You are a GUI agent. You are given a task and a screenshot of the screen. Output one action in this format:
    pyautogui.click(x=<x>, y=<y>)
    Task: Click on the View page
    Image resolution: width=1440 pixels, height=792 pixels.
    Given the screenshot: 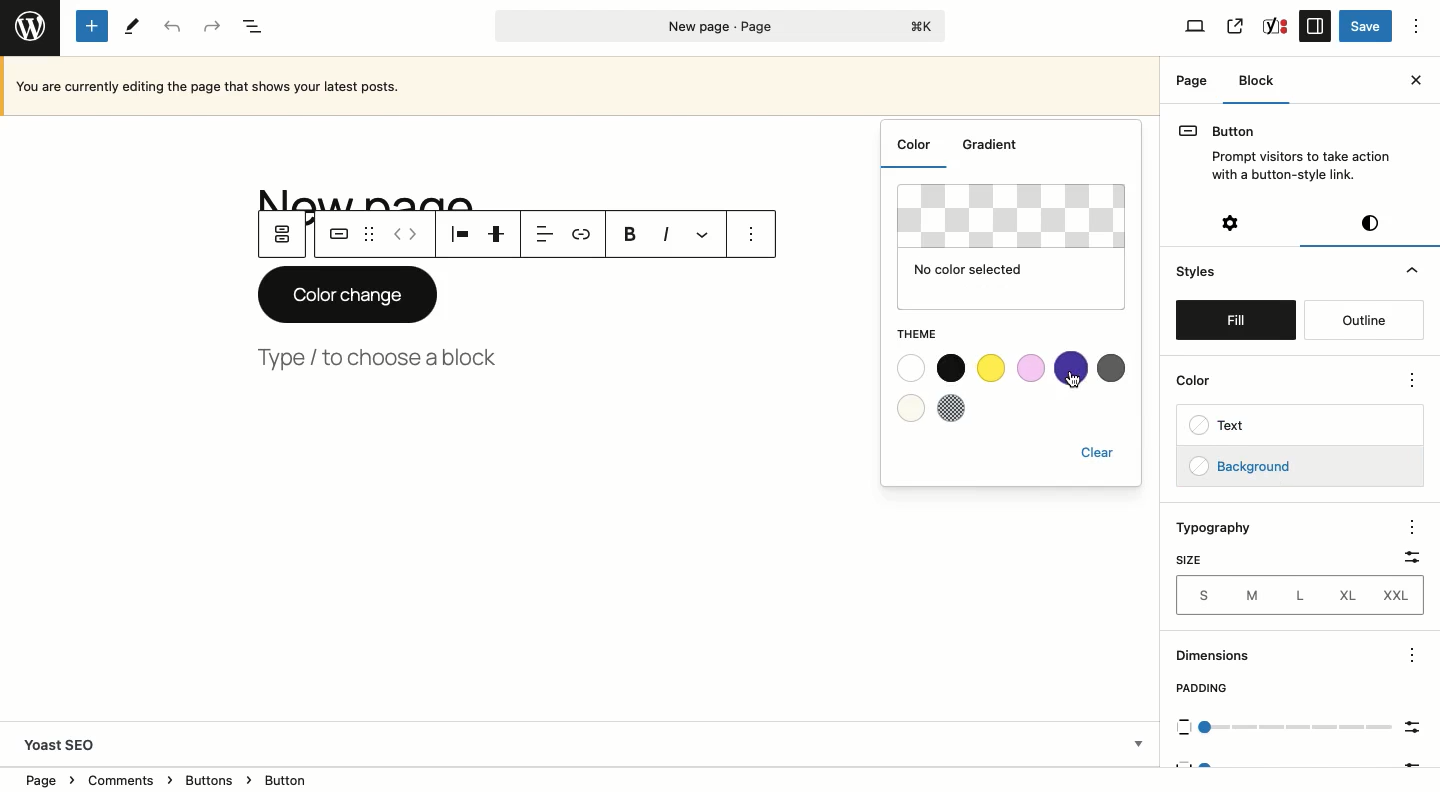 What is the action you would take?
    pyautogui.click(x=1235, y=27)
    